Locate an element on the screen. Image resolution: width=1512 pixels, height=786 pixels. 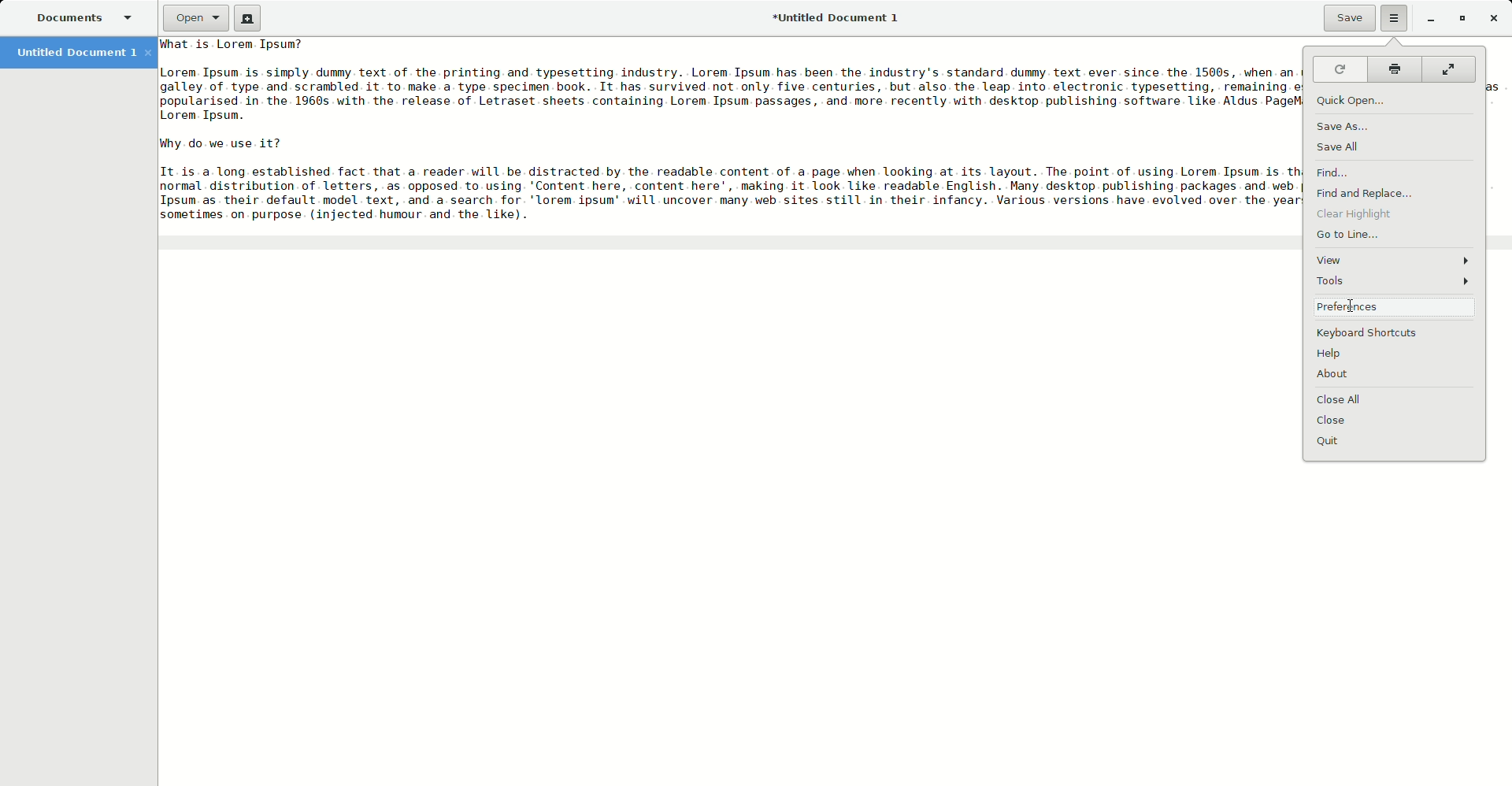
Save As is located at coordinates (1344, 128).